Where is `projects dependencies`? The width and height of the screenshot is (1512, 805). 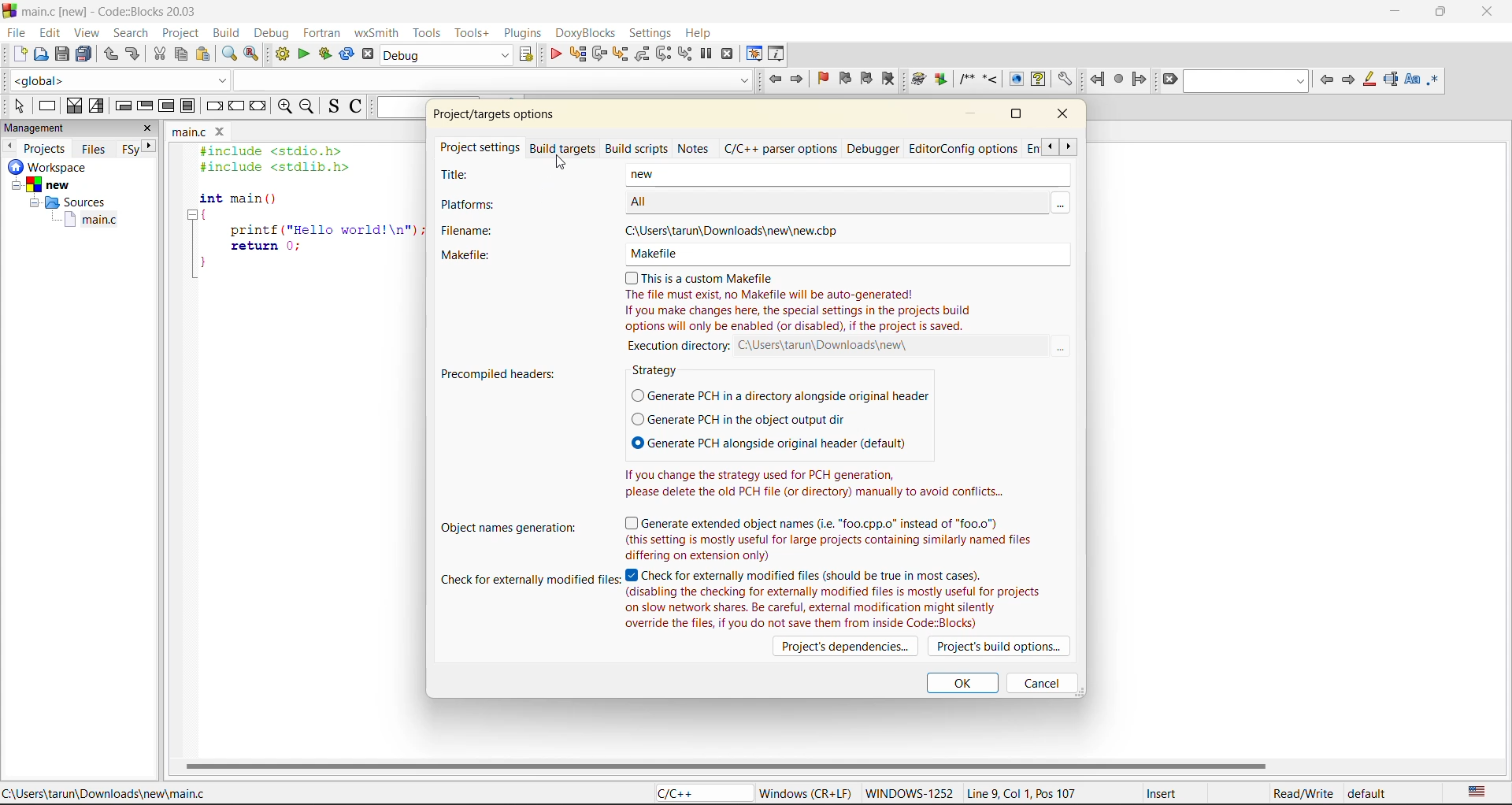
projects dependencies is located at coordinates (843, 647).